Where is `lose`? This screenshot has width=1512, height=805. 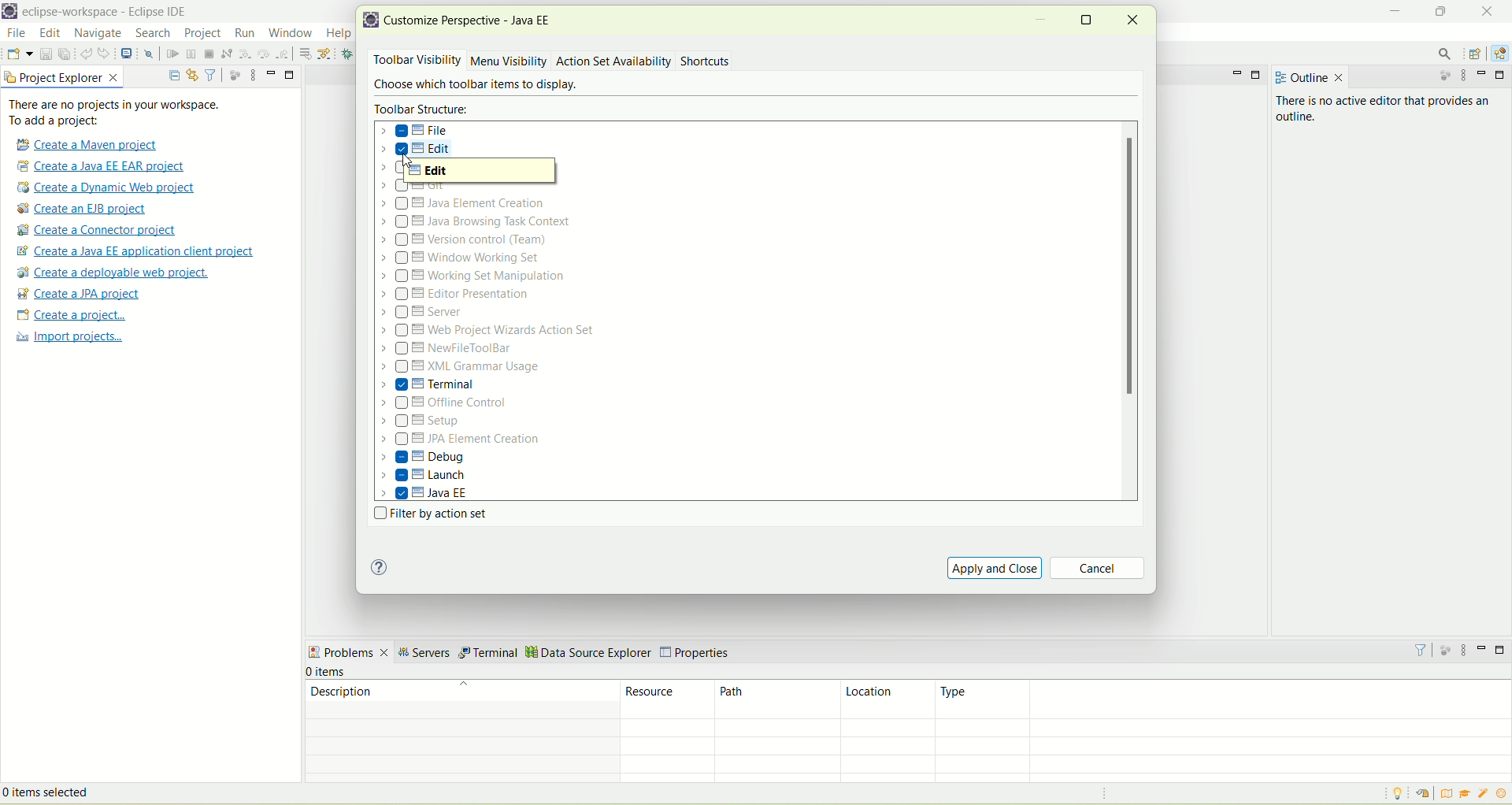
lose is located at coordinates (1133, 19).